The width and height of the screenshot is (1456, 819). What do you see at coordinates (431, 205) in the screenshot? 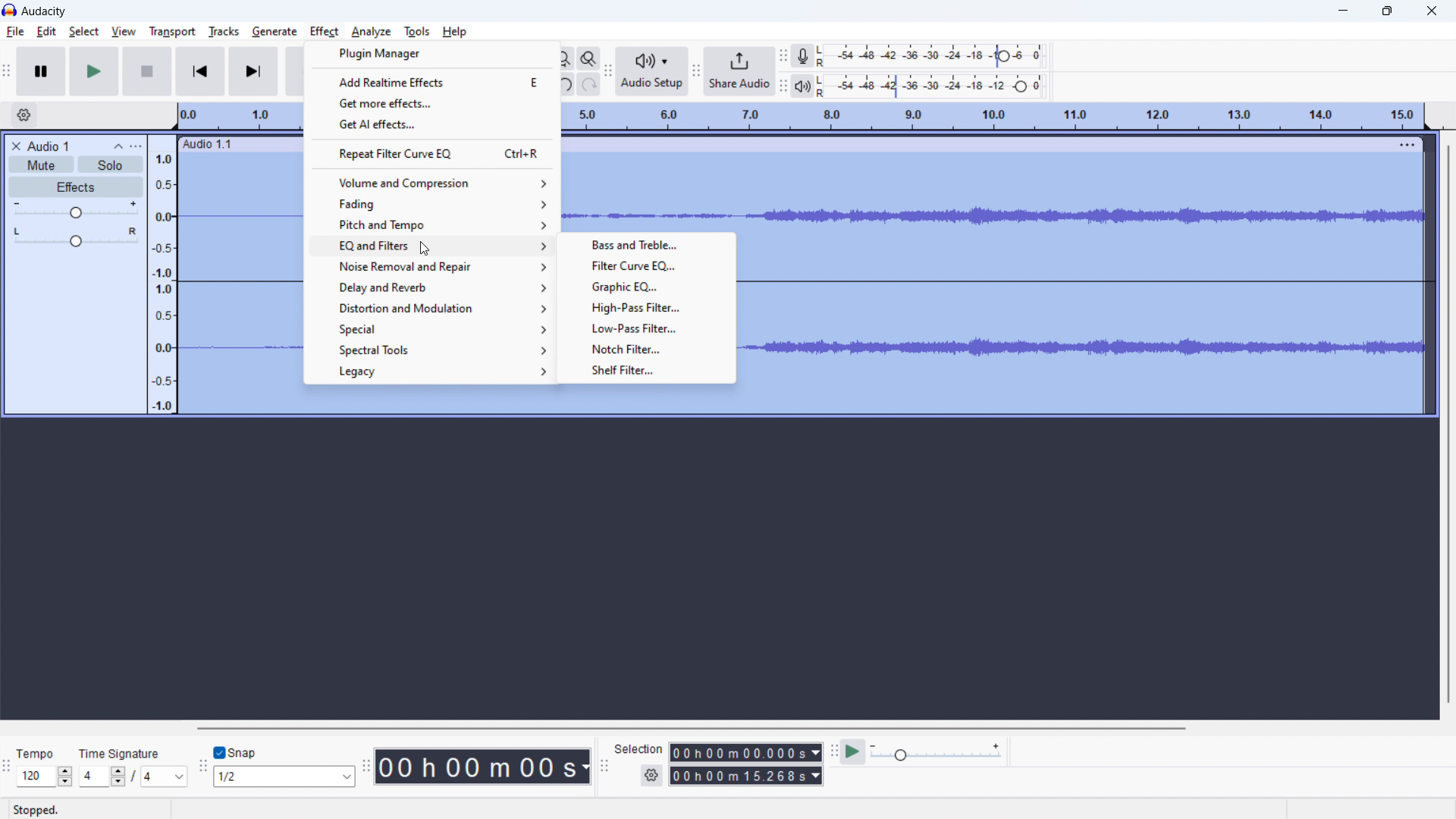
I see `fading` at bounding box center [431, 205].